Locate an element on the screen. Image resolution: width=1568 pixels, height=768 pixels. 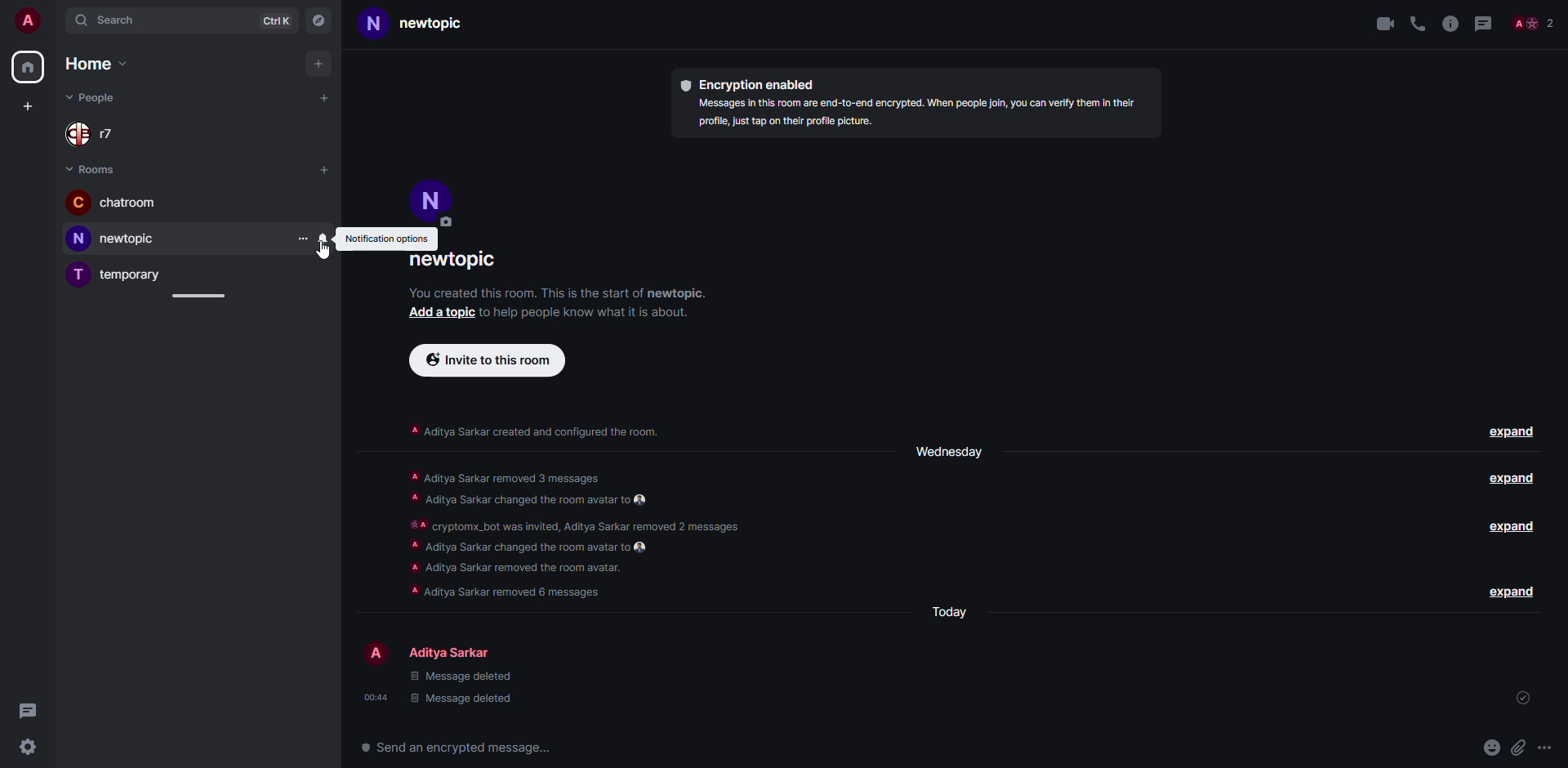
info is located at coordinates (567, 534).